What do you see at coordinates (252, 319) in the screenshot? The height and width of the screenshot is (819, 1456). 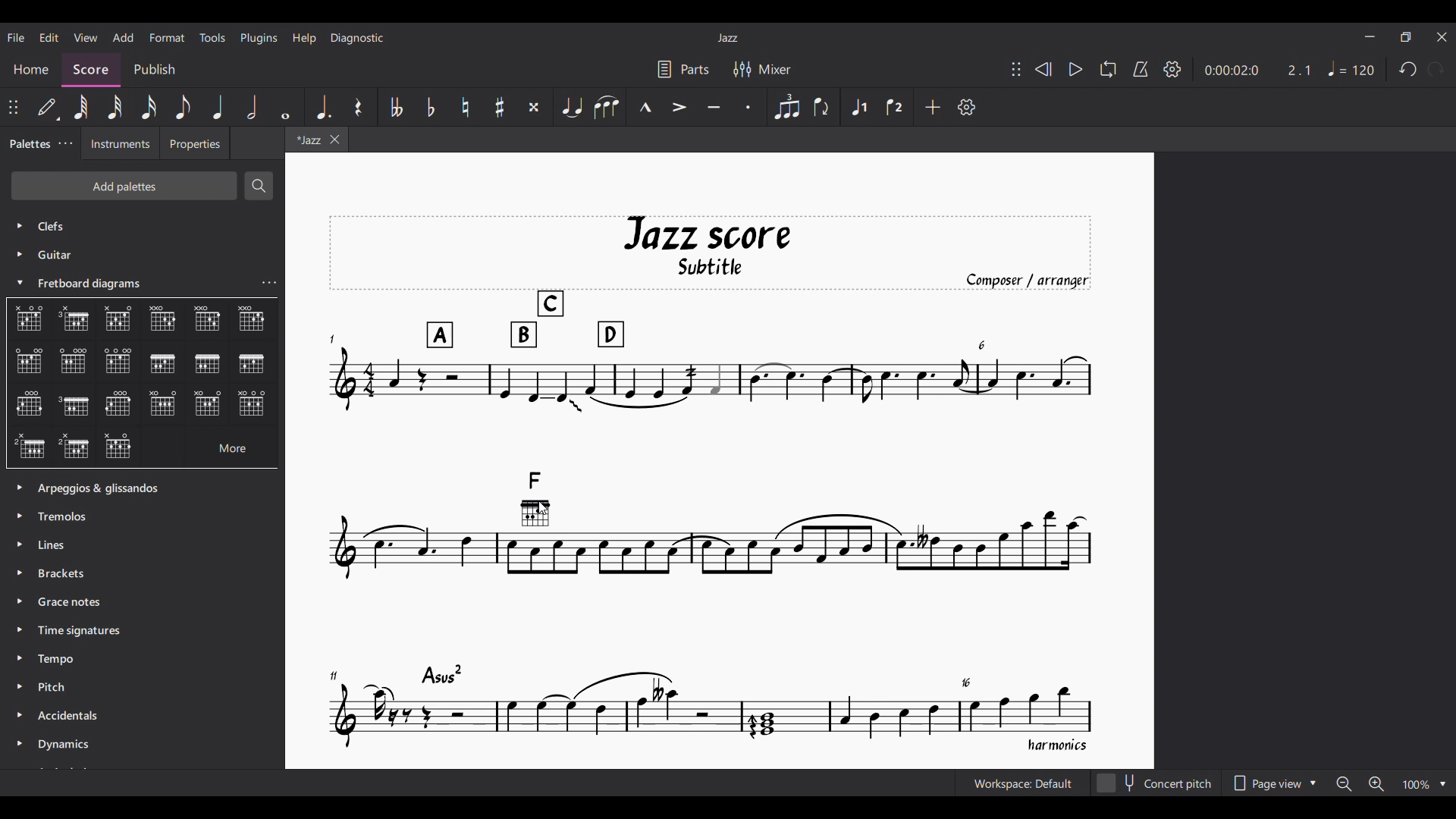 I see `Chart5` at bounding box center [252, 319].